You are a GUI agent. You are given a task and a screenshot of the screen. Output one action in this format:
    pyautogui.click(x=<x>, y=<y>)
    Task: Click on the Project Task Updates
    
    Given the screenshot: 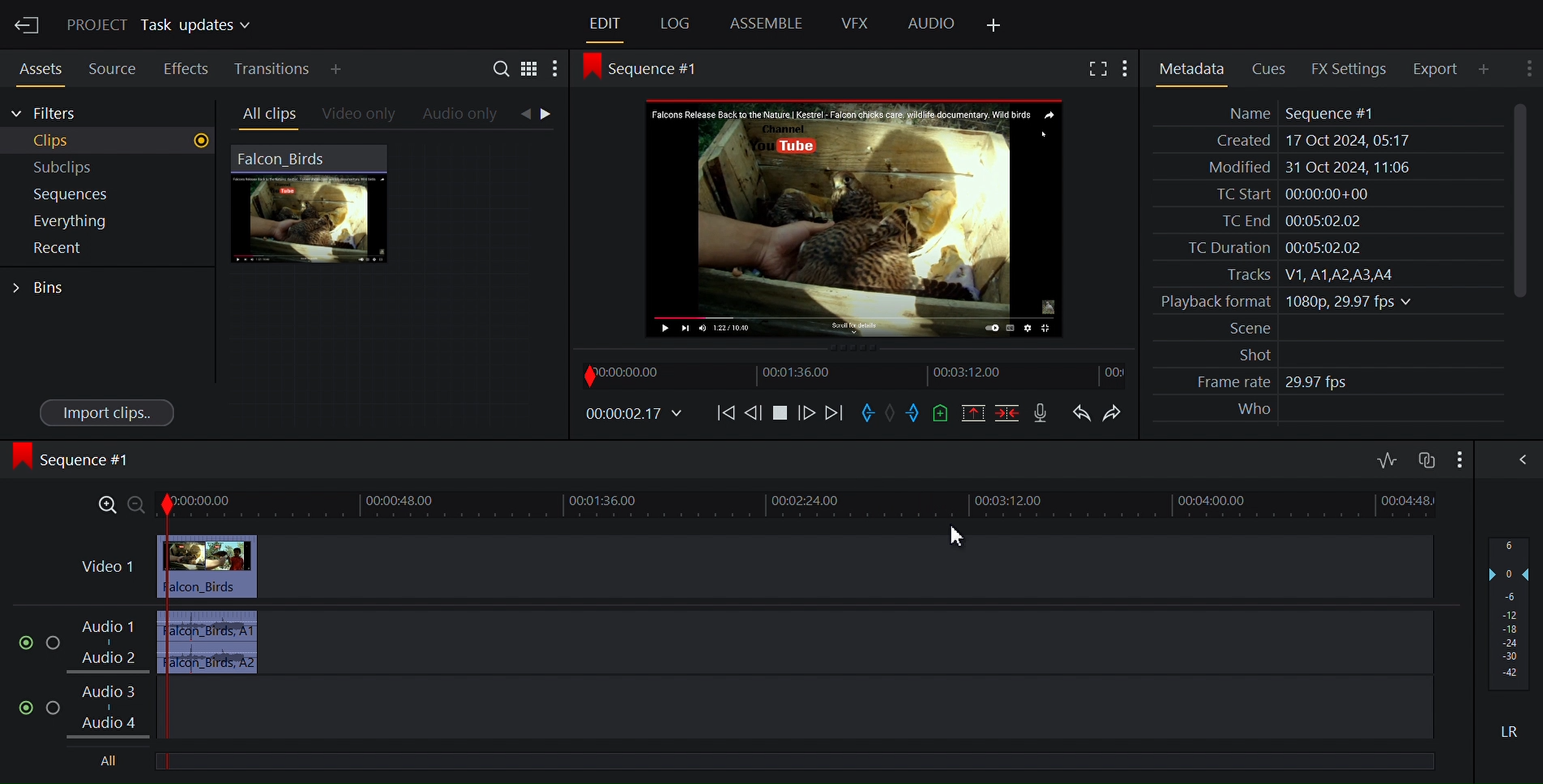 What is the action you would take?
    pyautogui.click(x=158, y=26)
    